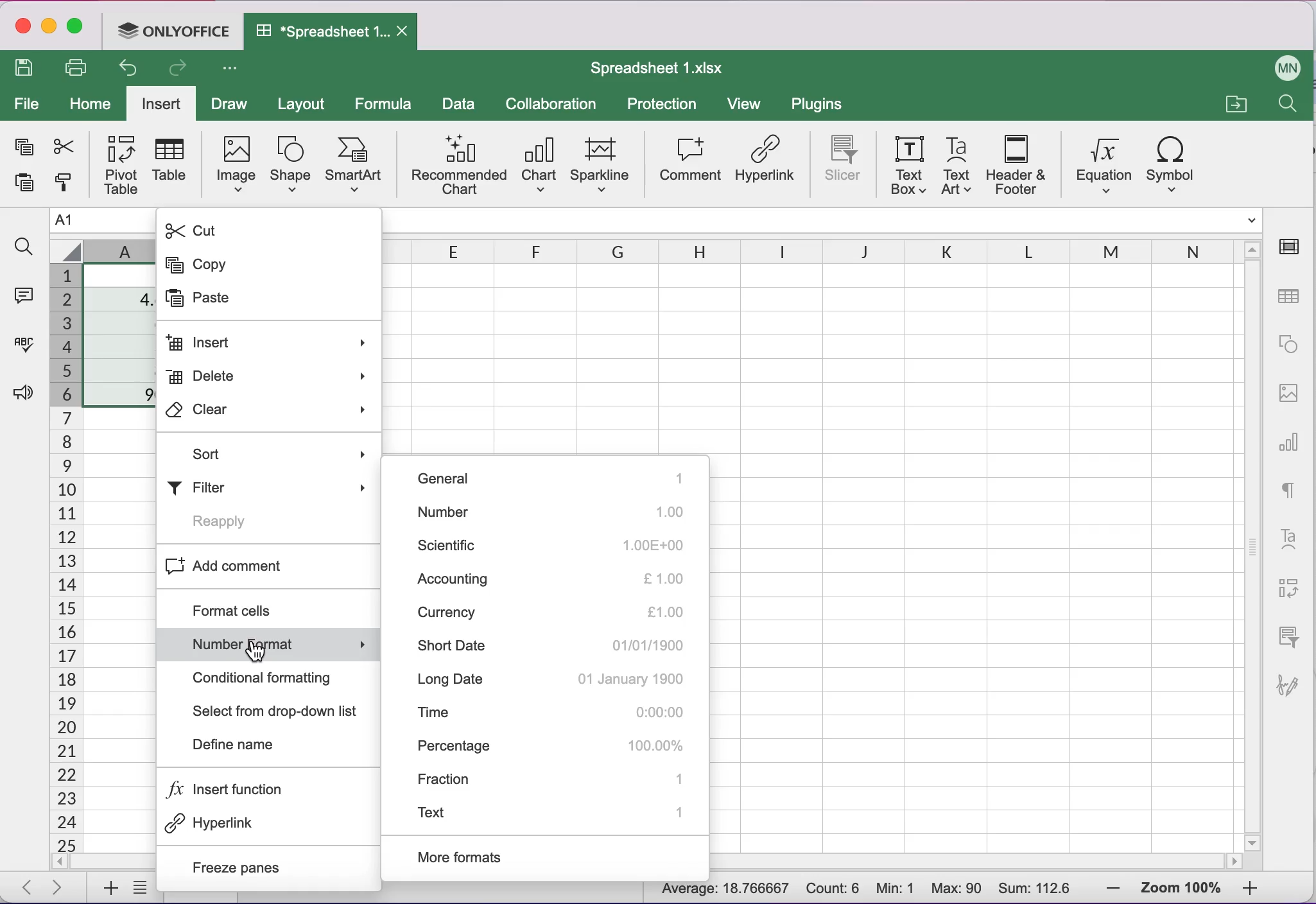 This screenshot has width=1316, height=904. I want to click on Delete, so click(266, 376).